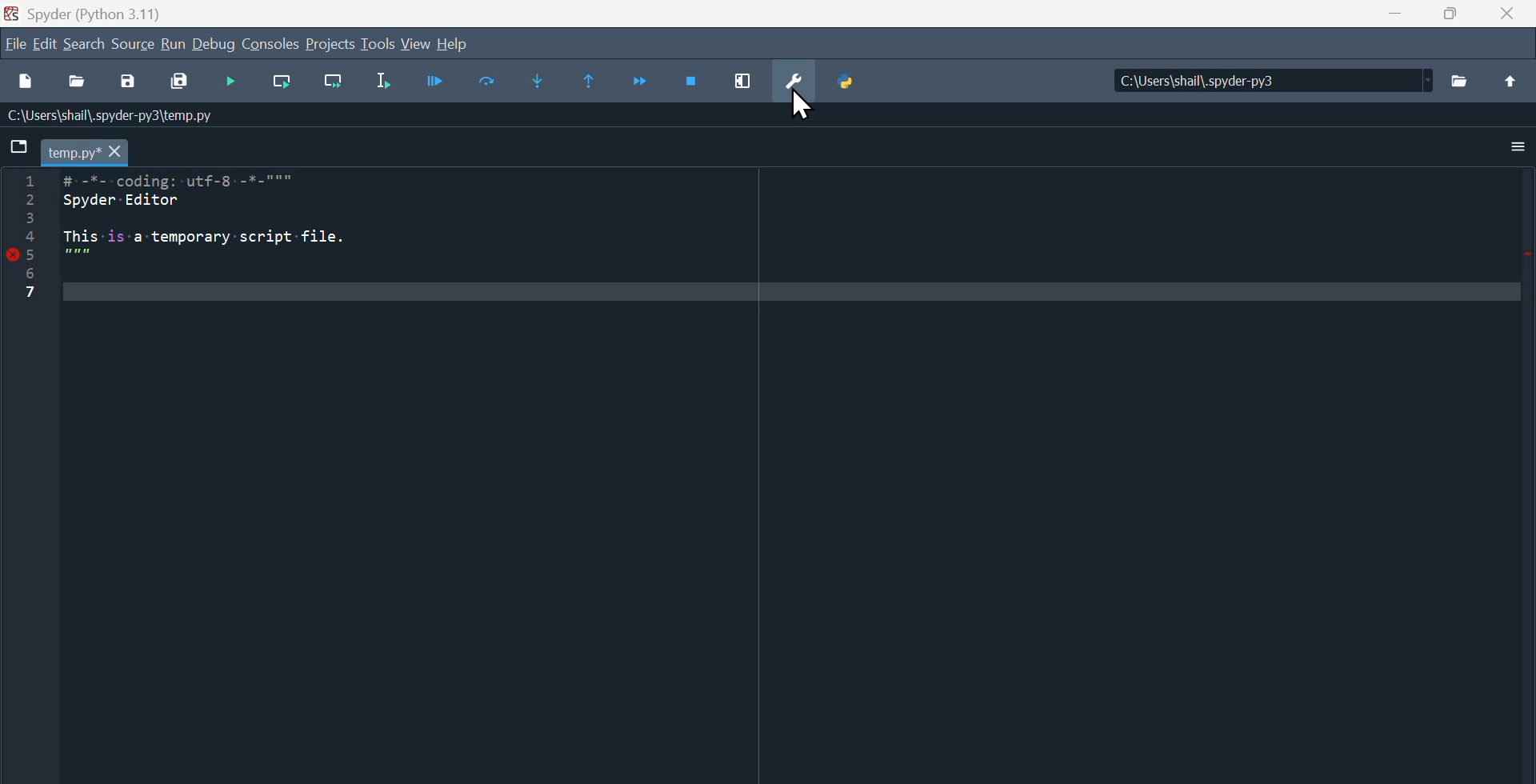 This screenshot has height=784, width=1536. I want to click on view, so click(415, 42).